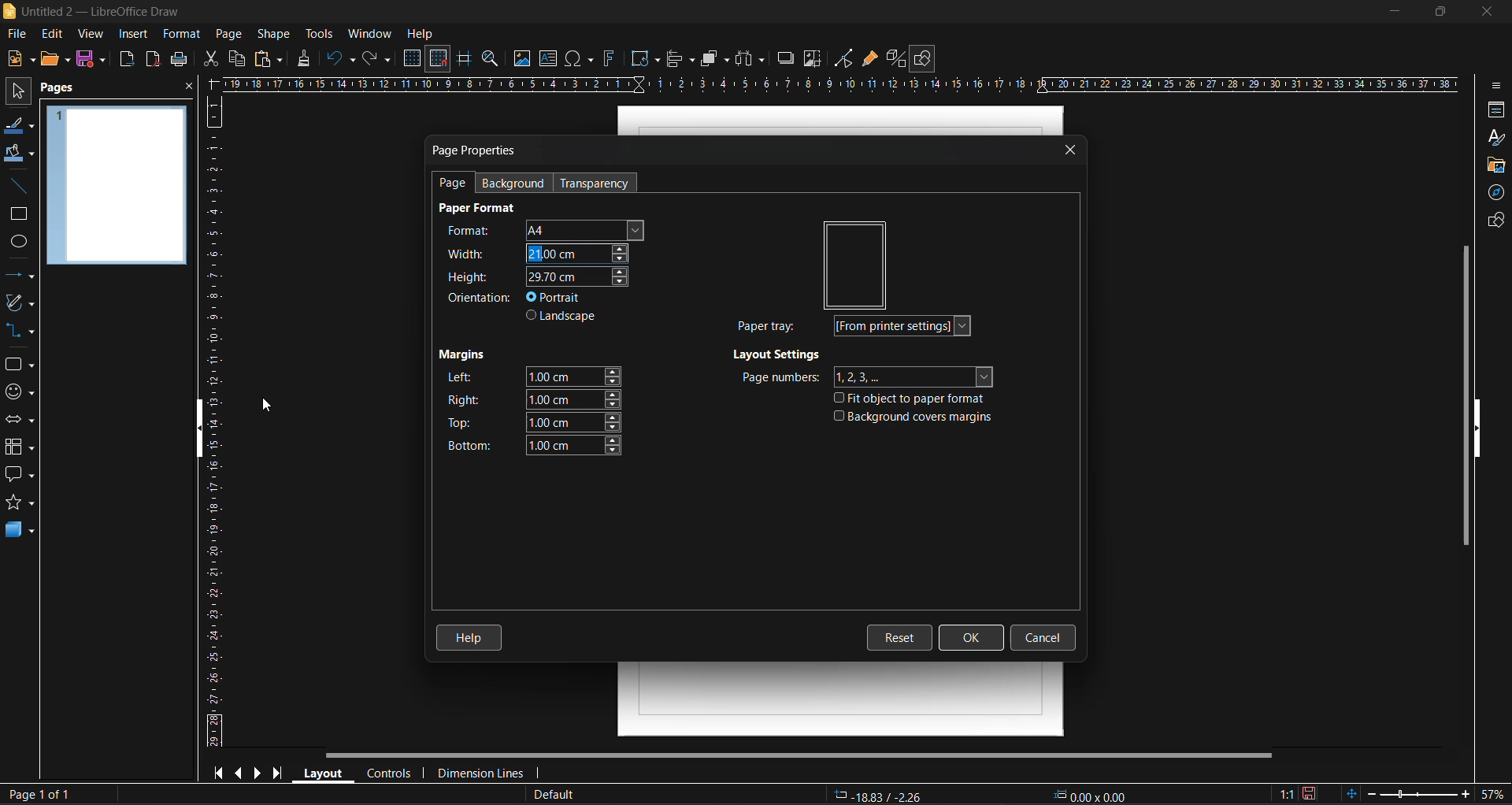 The image size is (1512, 805). Describe the element at coordinates (22, 421) in the screenshot. I see `block arrows` at that location.